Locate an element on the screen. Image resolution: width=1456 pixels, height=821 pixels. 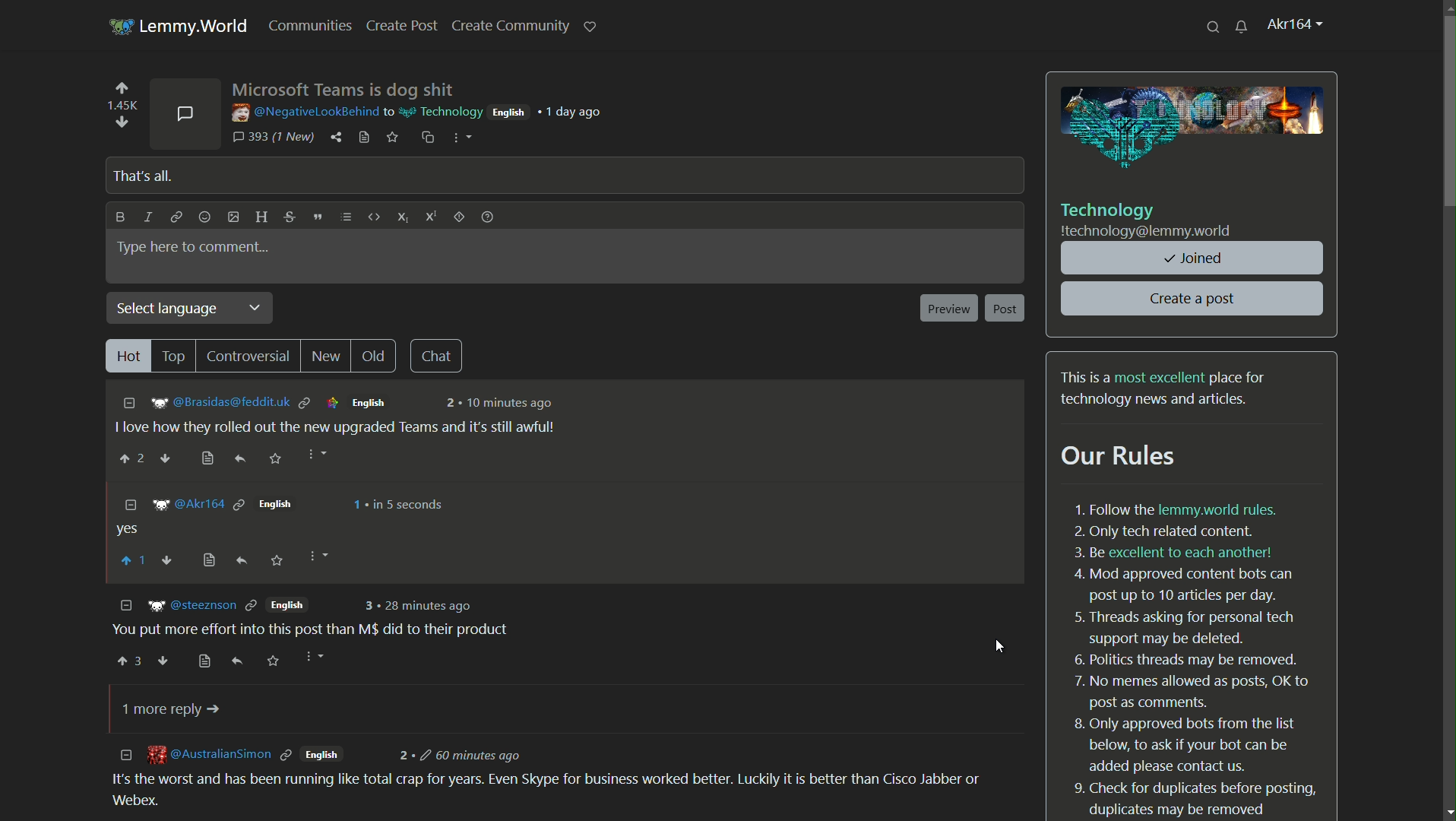
image is located at coordinates (1194, 128).